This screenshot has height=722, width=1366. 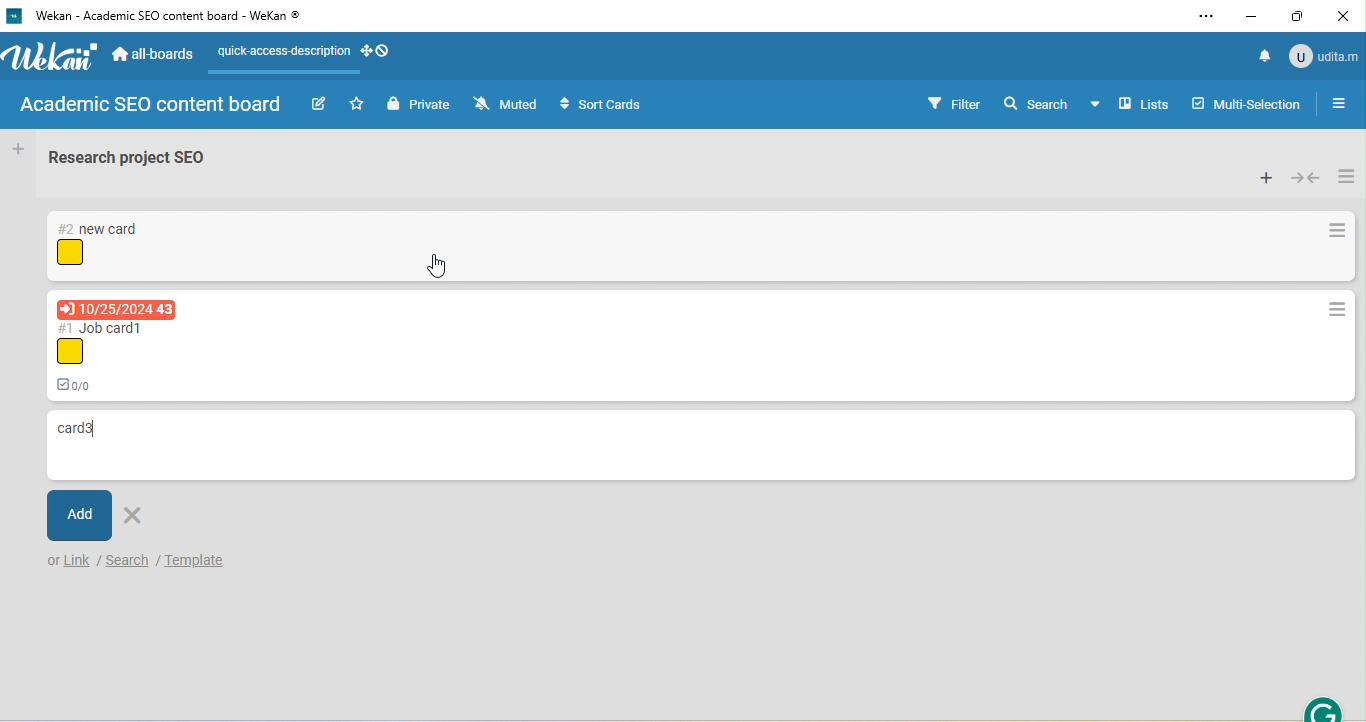 I want to click on quick access description, so click(x=280, y=53).